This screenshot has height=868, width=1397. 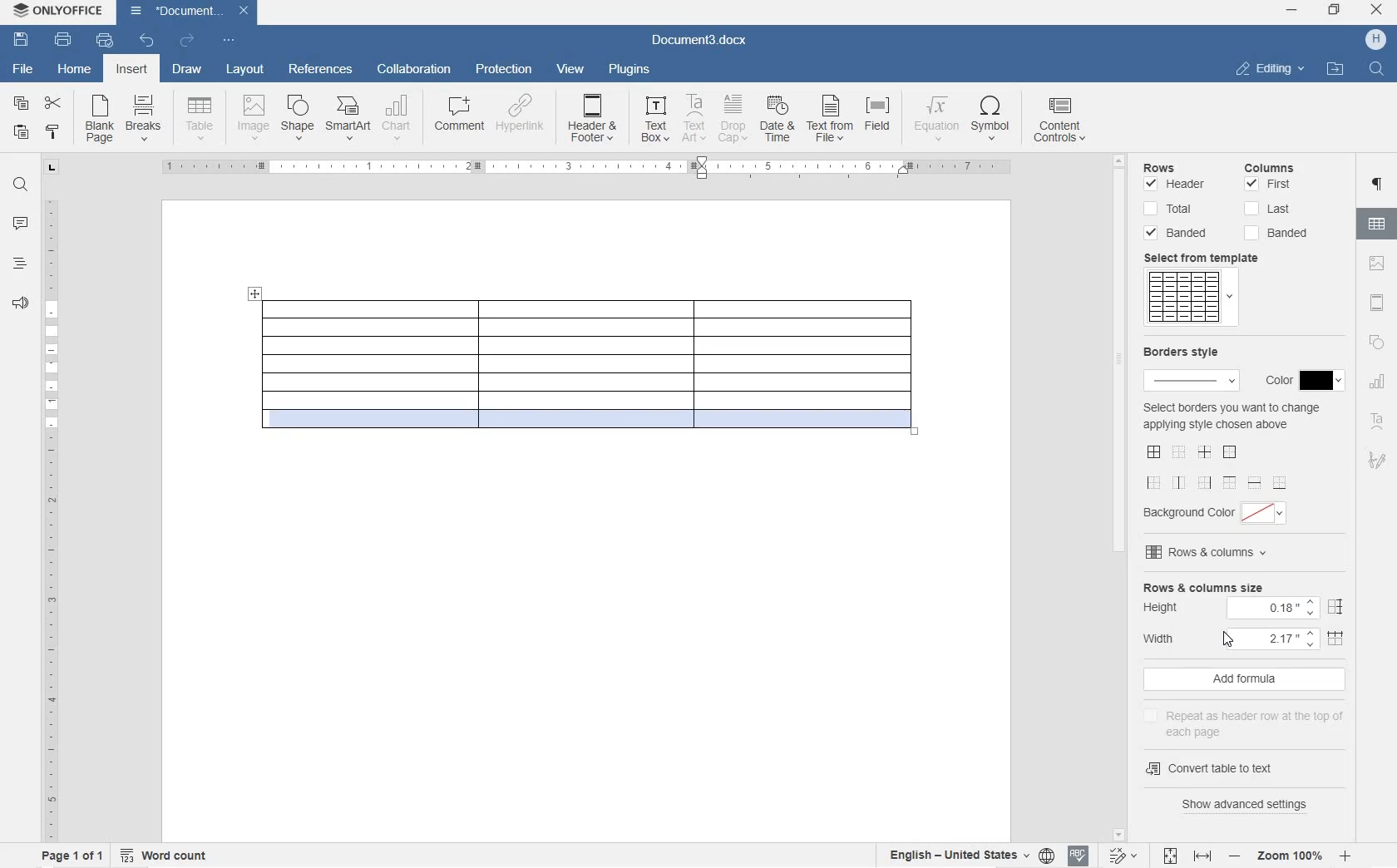 What do you see at coordinates (23, 133) in the screenshot?
I see `PASTE` at bounding box center [23, 133].